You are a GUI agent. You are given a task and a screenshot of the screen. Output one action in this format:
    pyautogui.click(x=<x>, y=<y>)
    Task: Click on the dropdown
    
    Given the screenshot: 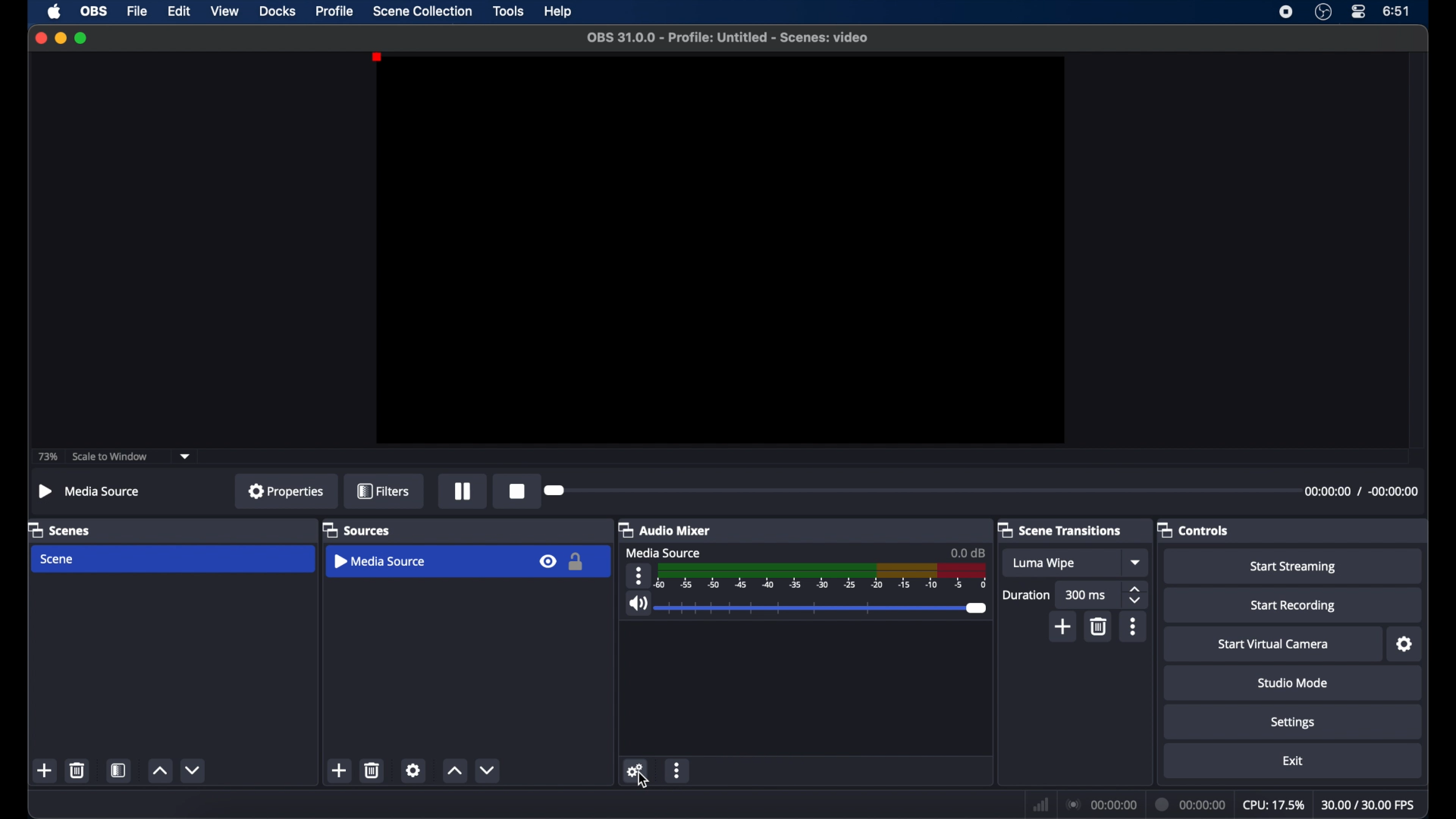 What is the action you would take?
    pyautogui.click(x=185, y=455)
    